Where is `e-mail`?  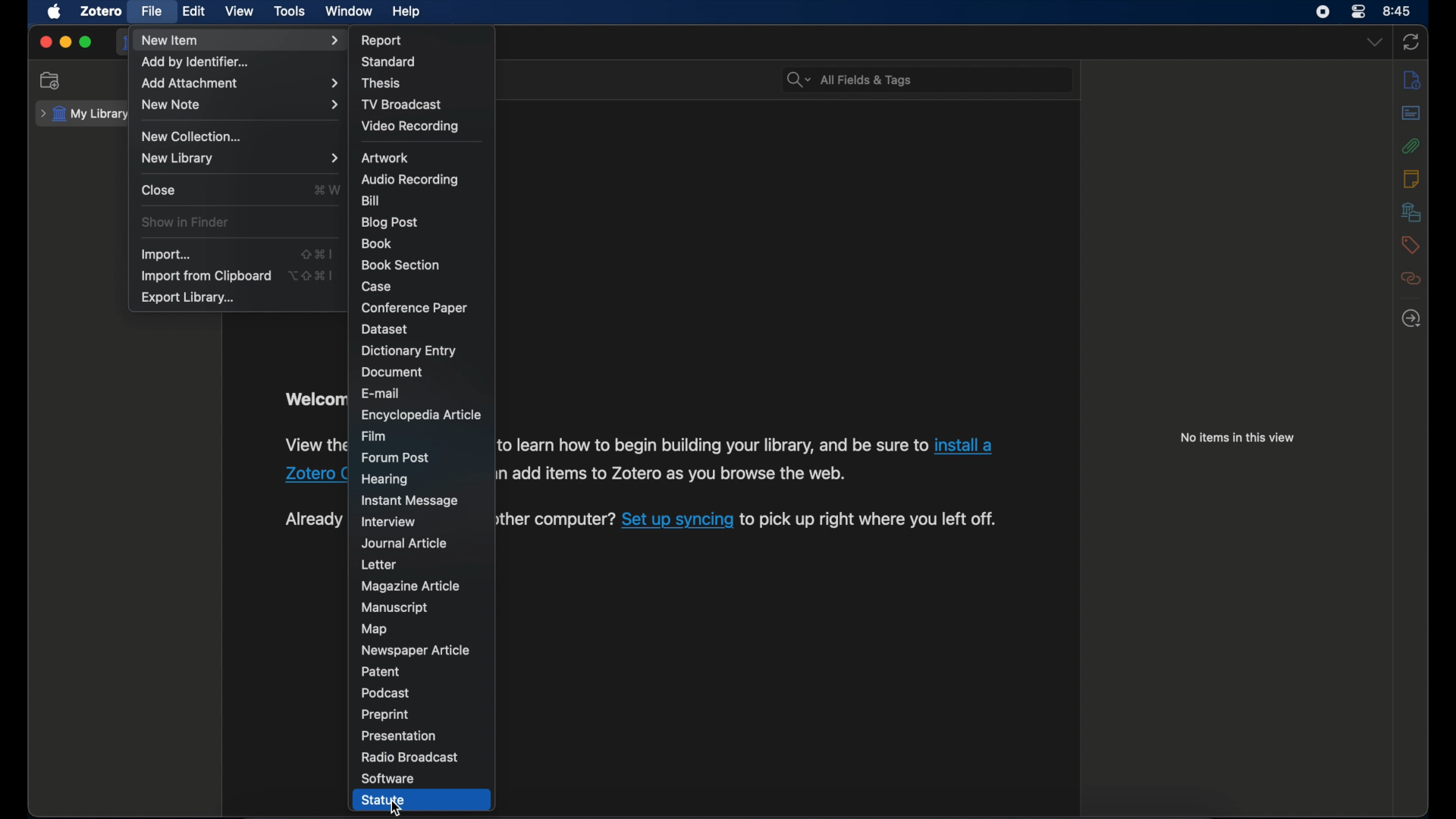
e-mail is located at coordinates (382, 392).